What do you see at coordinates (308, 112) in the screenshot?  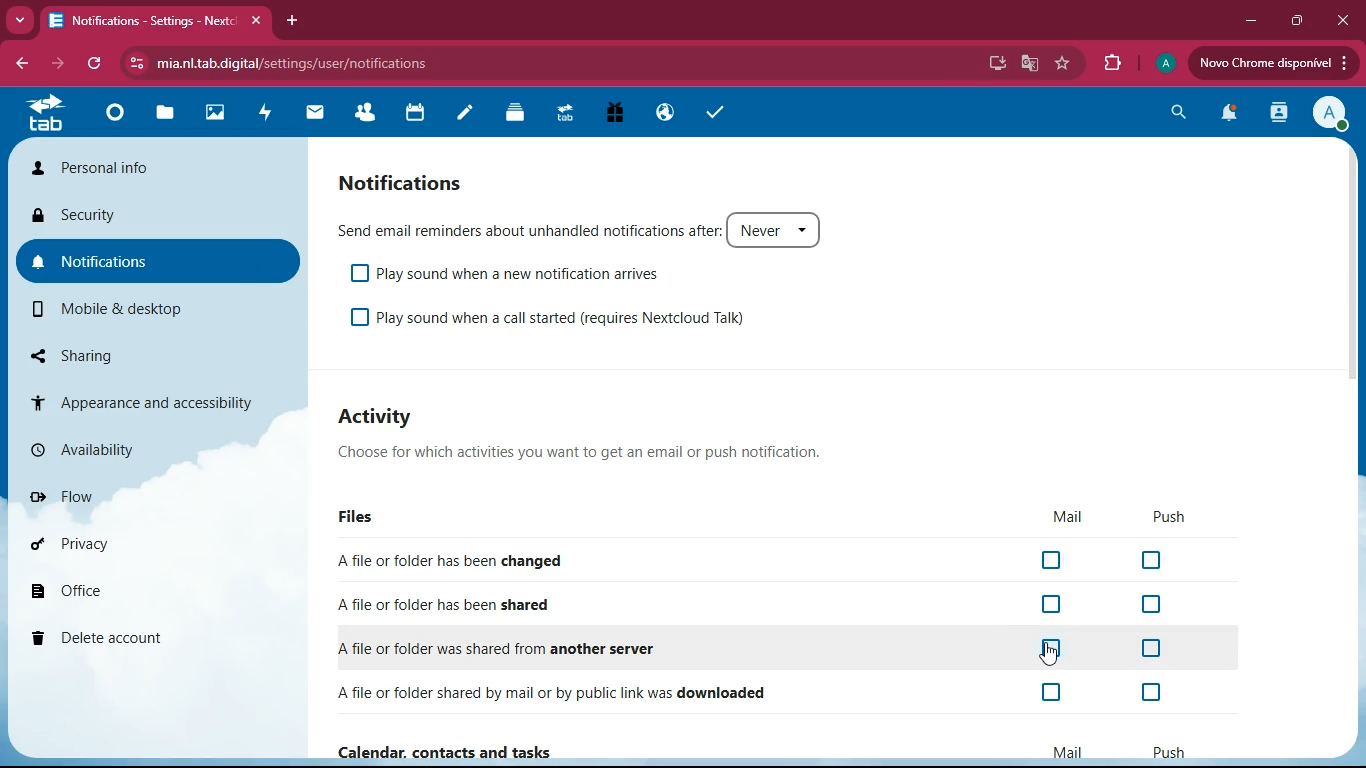 I see `mail` at bounding box center [308, 112].